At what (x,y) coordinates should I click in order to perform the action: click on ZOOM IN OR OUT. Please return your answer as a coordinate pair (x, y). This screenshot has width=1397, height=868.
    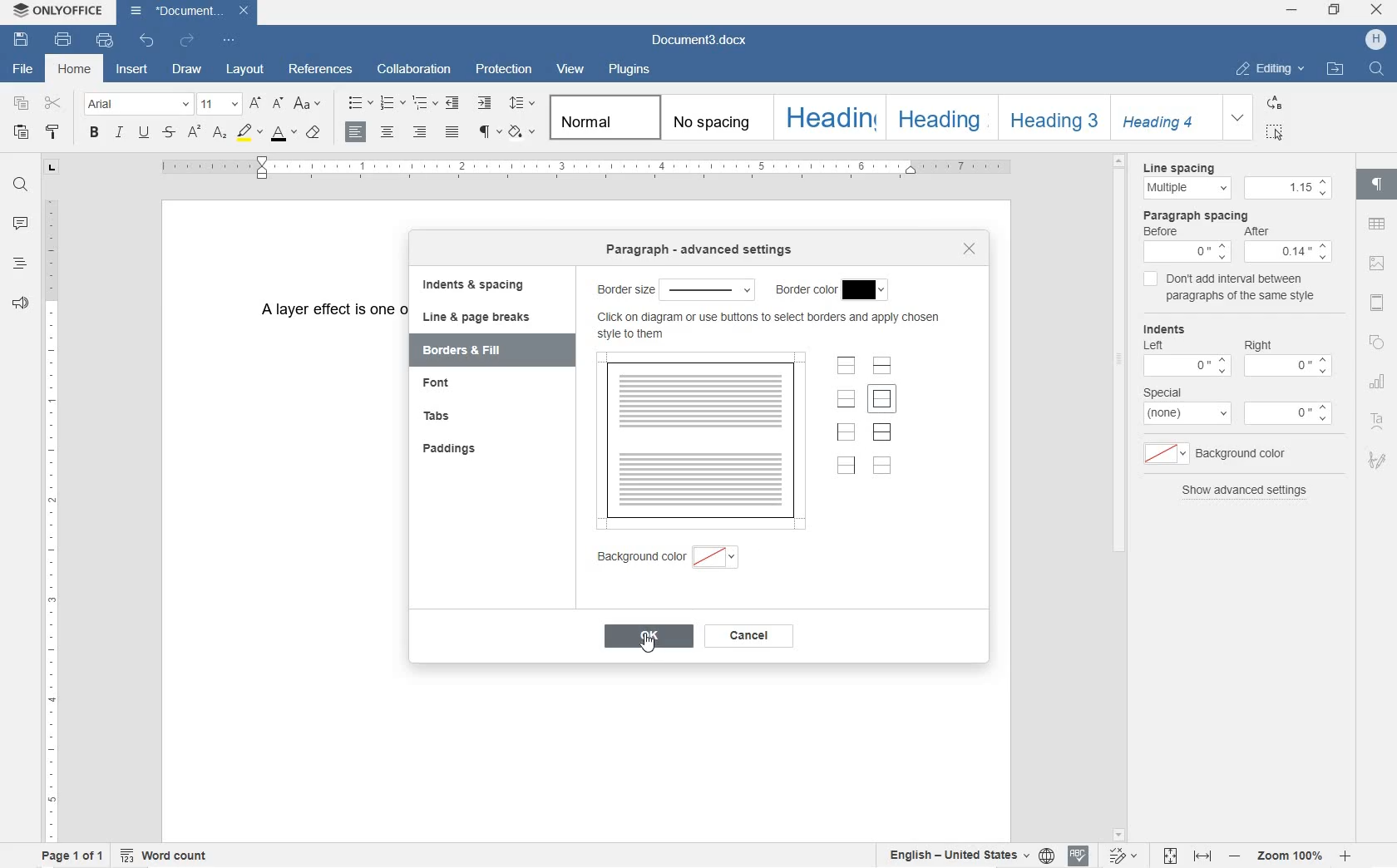
    Looking at the image, I should click on (1291, 856).